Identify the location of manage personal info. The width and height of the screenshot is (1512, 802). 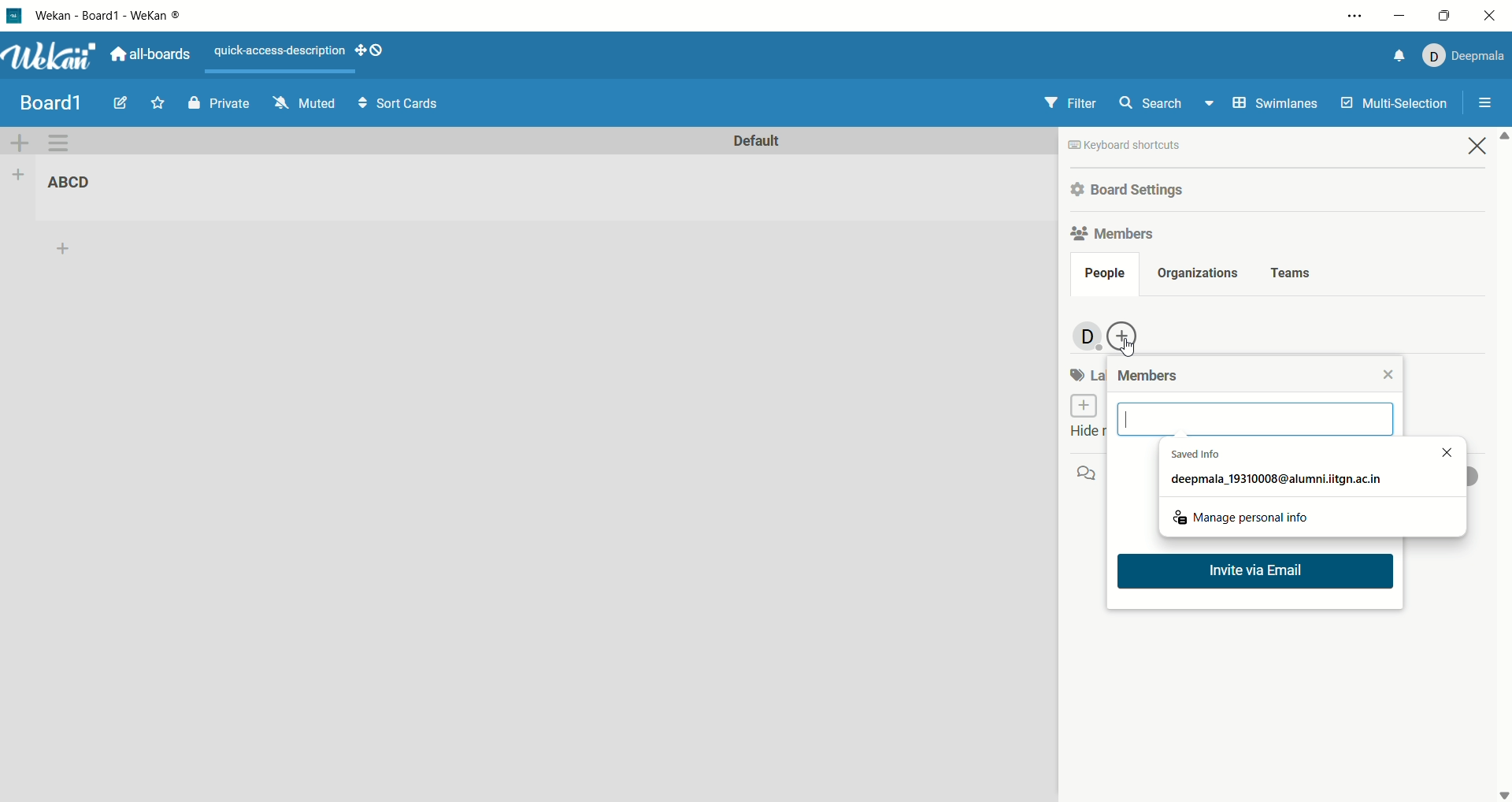
(1243, 514).